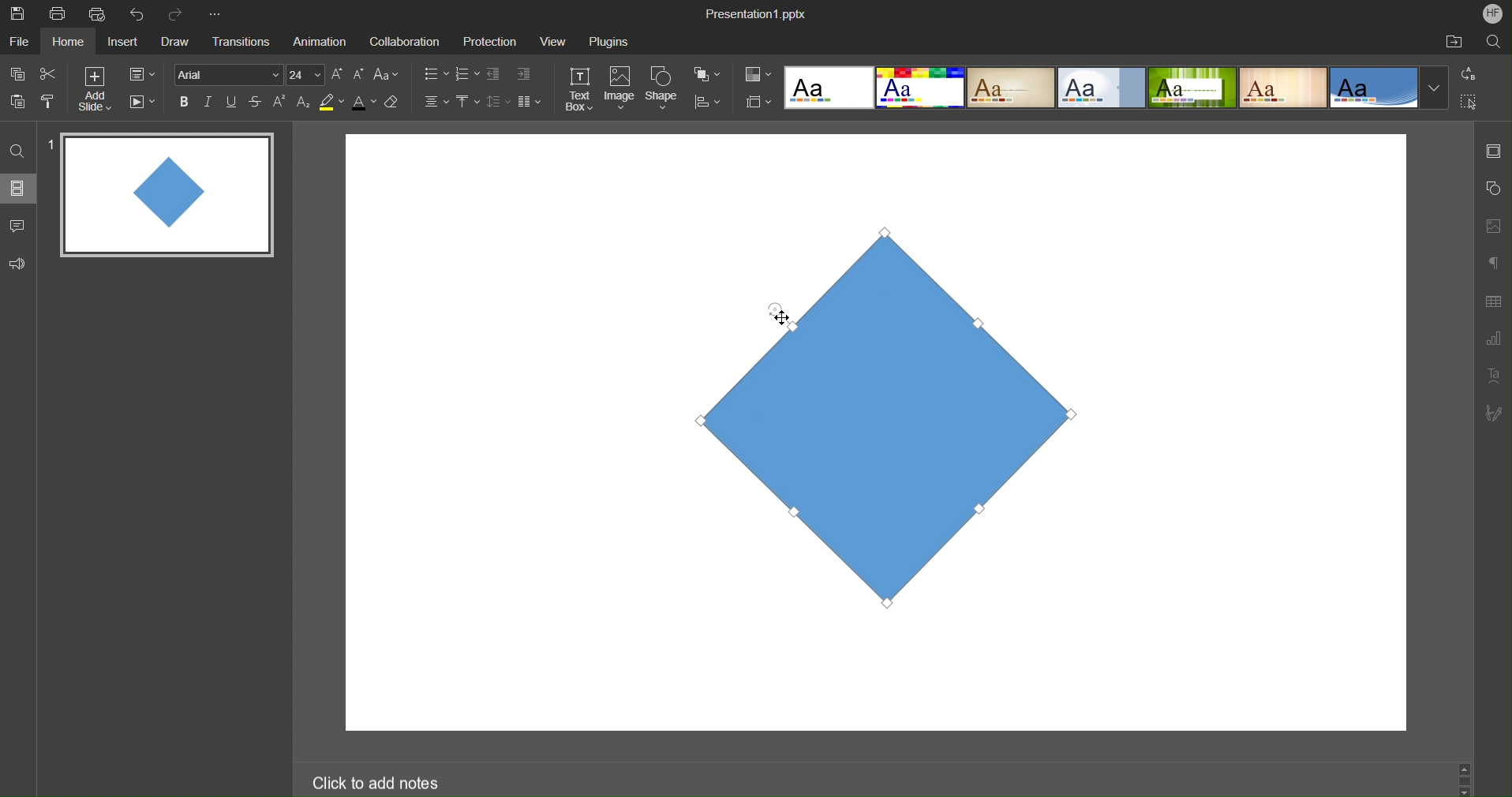  I want to click on Animation, so click(318, 39).